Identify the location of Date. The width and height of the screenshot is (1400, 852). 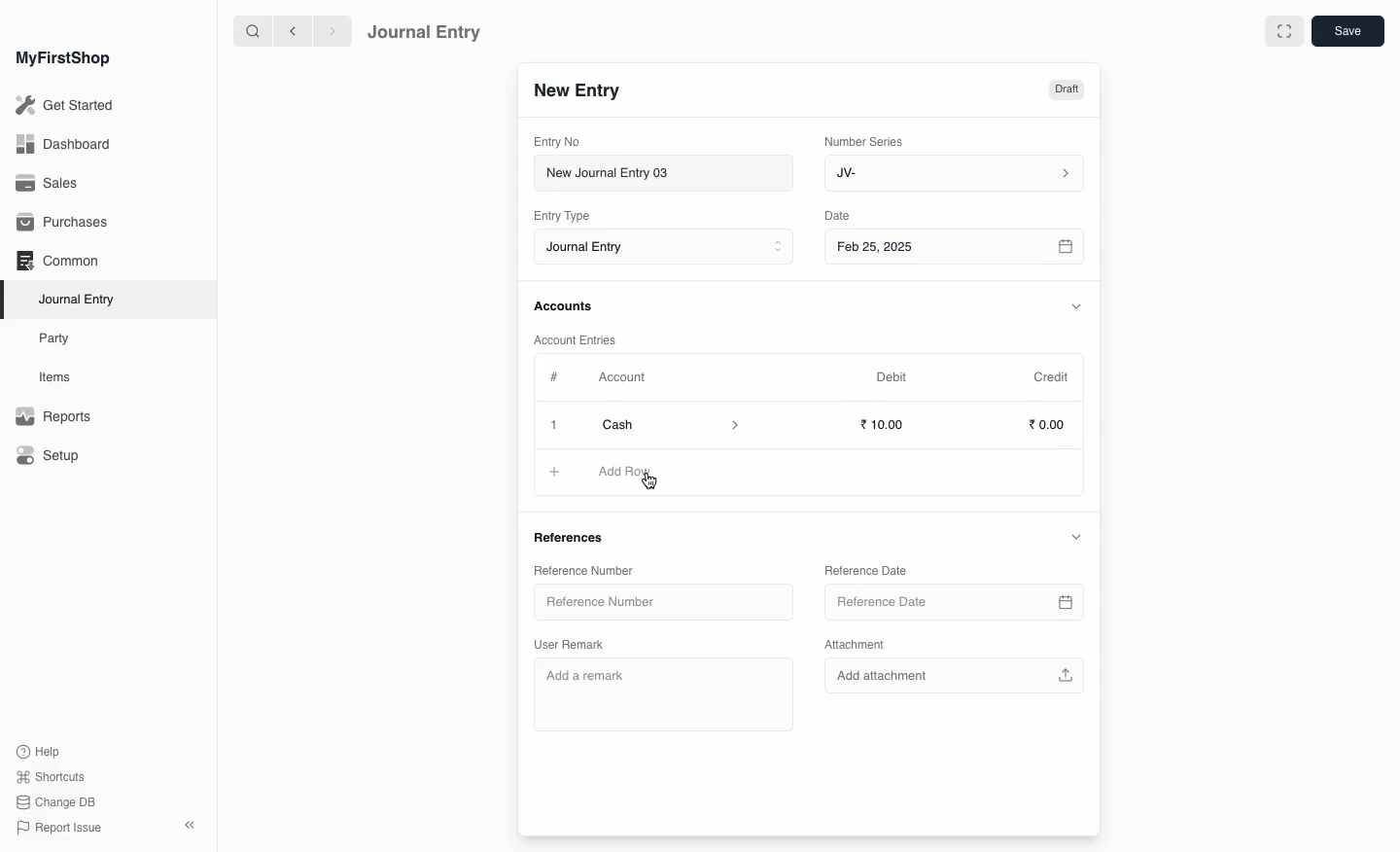
(838, 216).